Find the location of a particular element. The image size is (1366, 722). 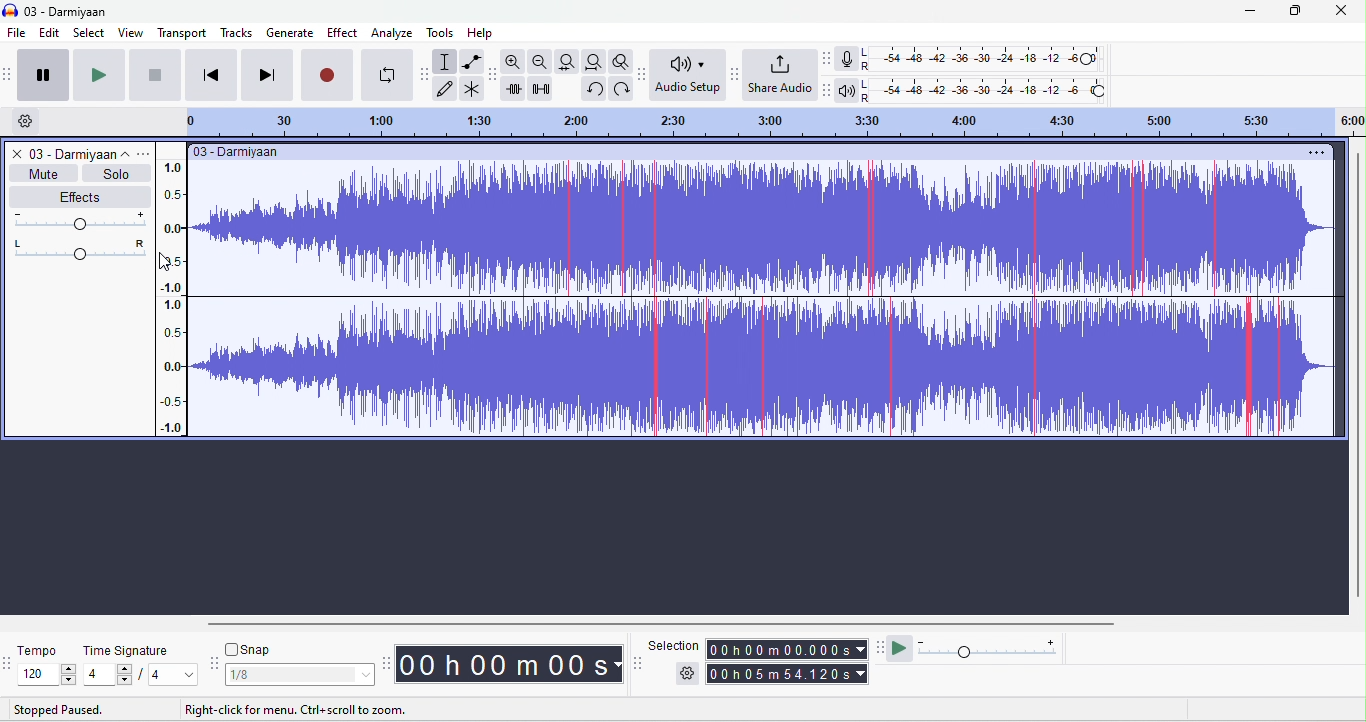

selection time is located at coordinates (789, 648).